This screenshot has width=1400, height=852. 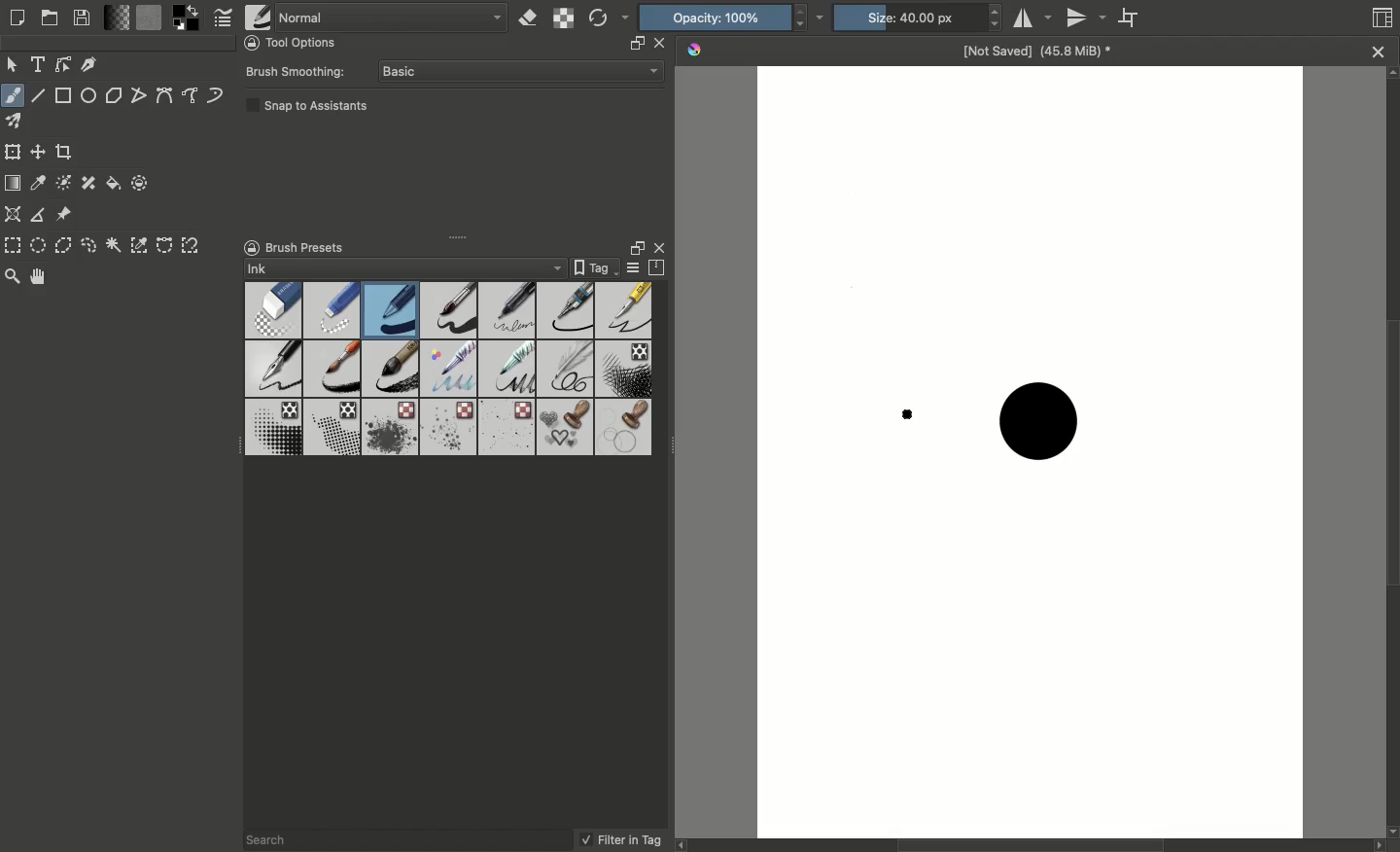 What do you see at coordinates (1038, 54) in the screenshot?
I see `Name` at bounding box center [1038, 54].